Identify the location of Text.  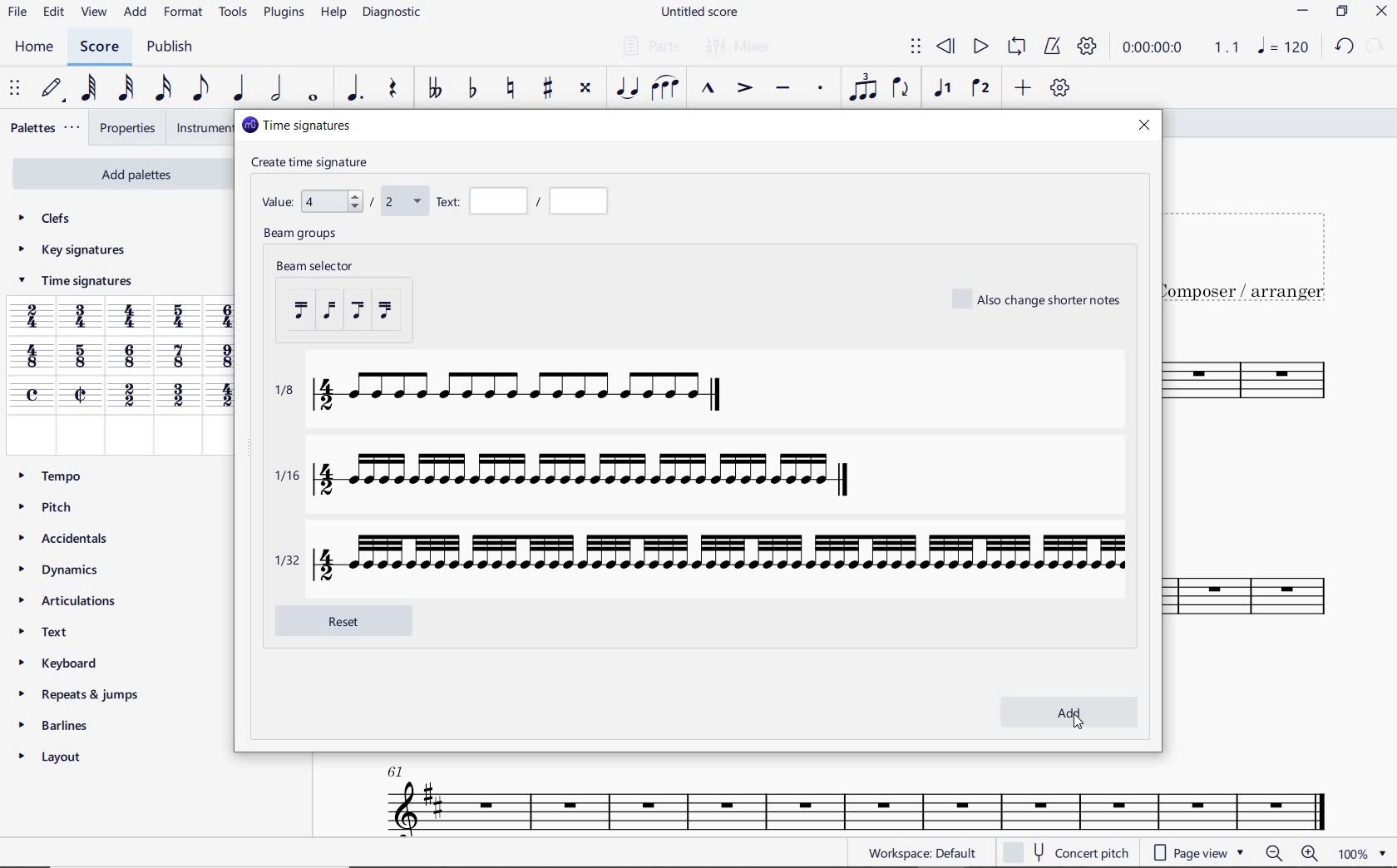
(524, 201).